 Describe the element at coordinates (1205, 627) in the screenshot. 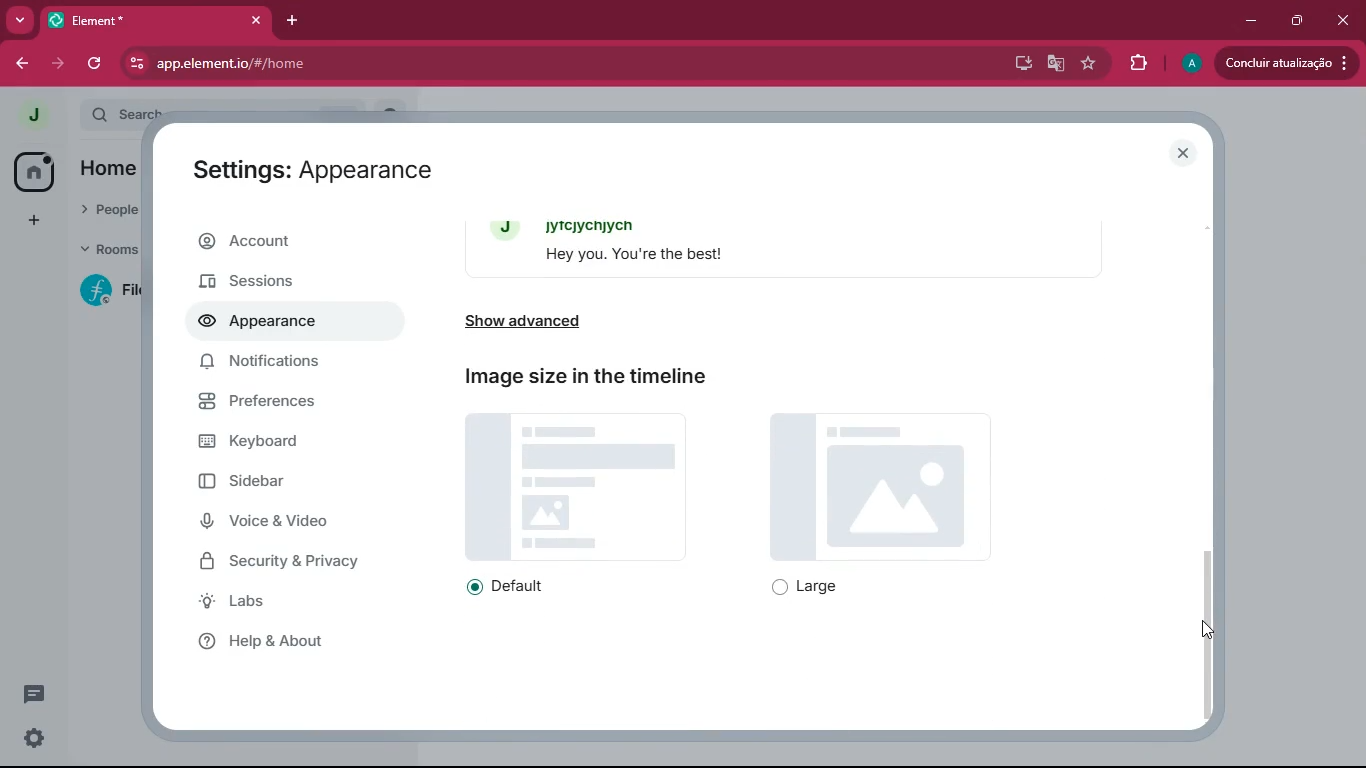

I see `Cursor` at that location.